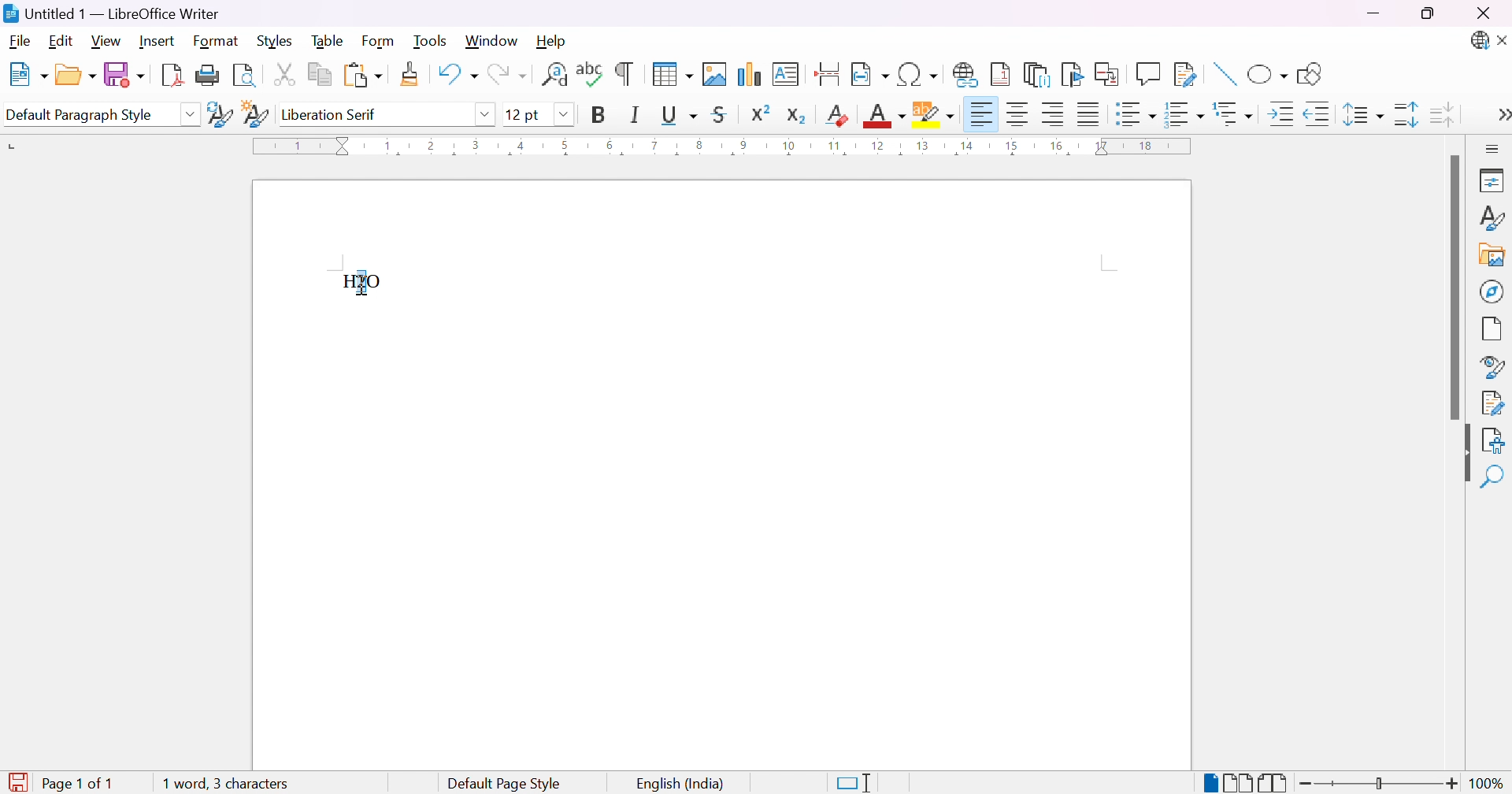 The image size is (1512, 794). I want to click on Superscript, so click(759, 113).